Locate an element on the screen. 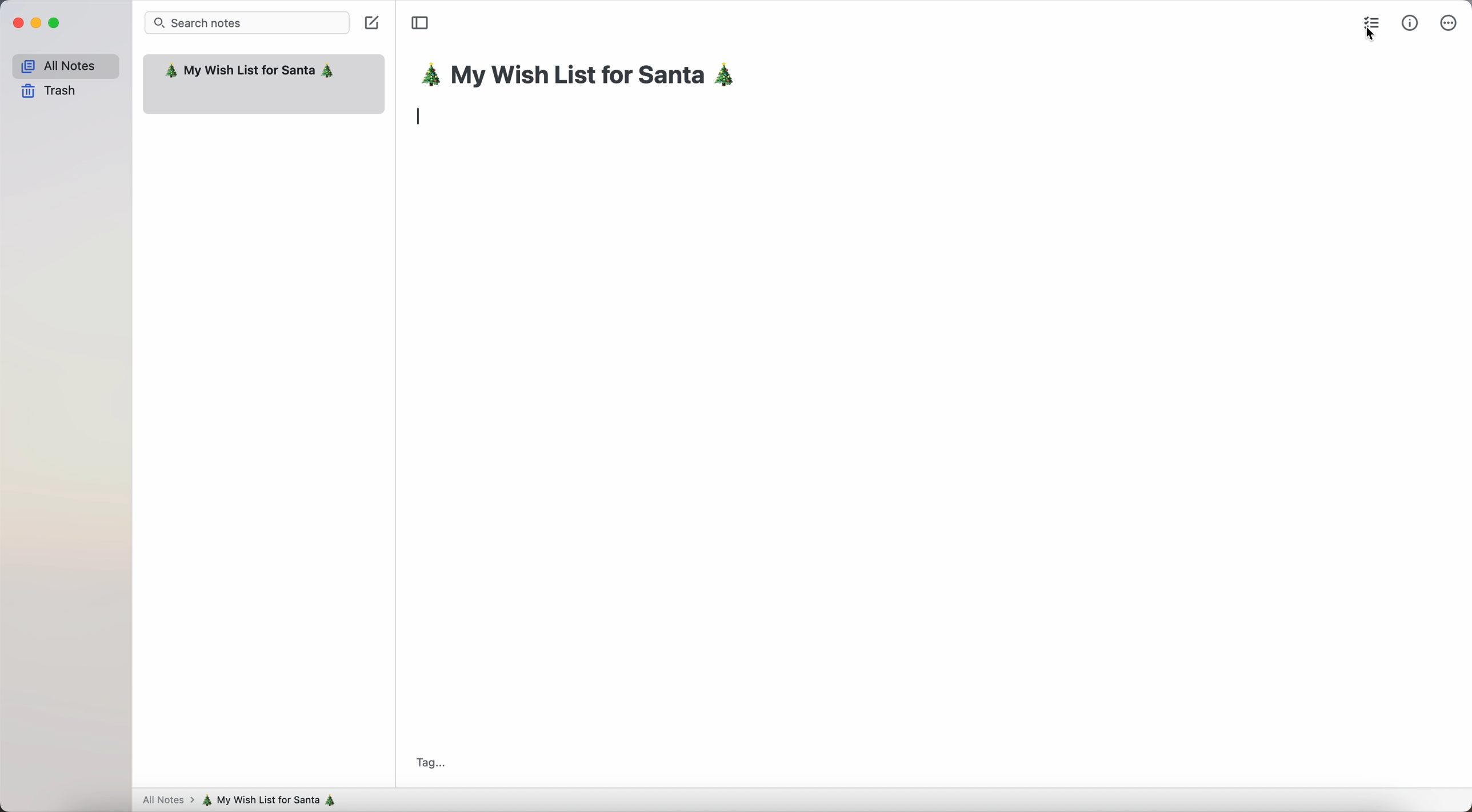  minimize Simplenote is located at coordinates (36, 23).